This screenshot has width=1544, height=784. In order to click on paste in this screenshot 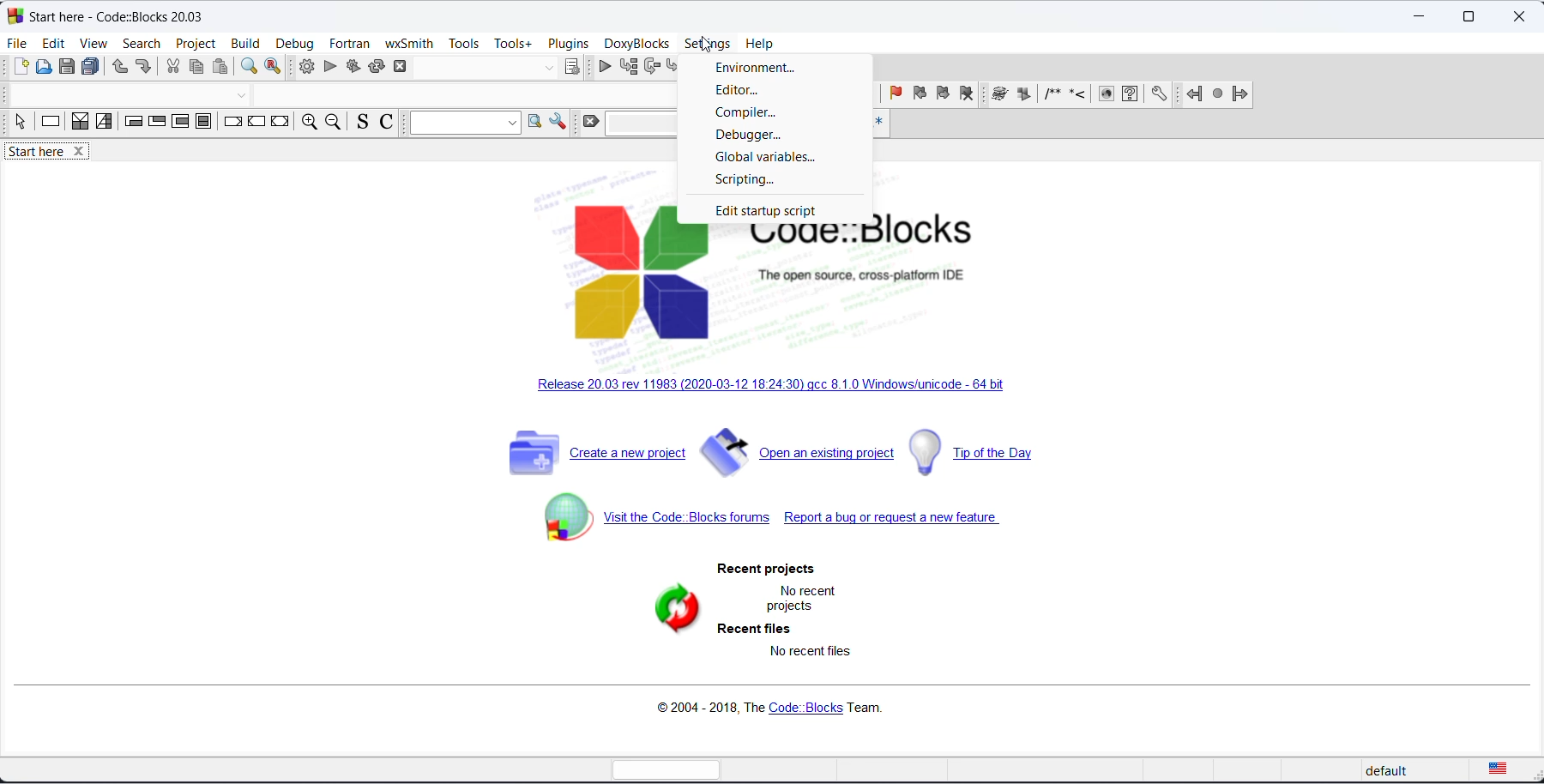, I will do `click(220, 66)`.